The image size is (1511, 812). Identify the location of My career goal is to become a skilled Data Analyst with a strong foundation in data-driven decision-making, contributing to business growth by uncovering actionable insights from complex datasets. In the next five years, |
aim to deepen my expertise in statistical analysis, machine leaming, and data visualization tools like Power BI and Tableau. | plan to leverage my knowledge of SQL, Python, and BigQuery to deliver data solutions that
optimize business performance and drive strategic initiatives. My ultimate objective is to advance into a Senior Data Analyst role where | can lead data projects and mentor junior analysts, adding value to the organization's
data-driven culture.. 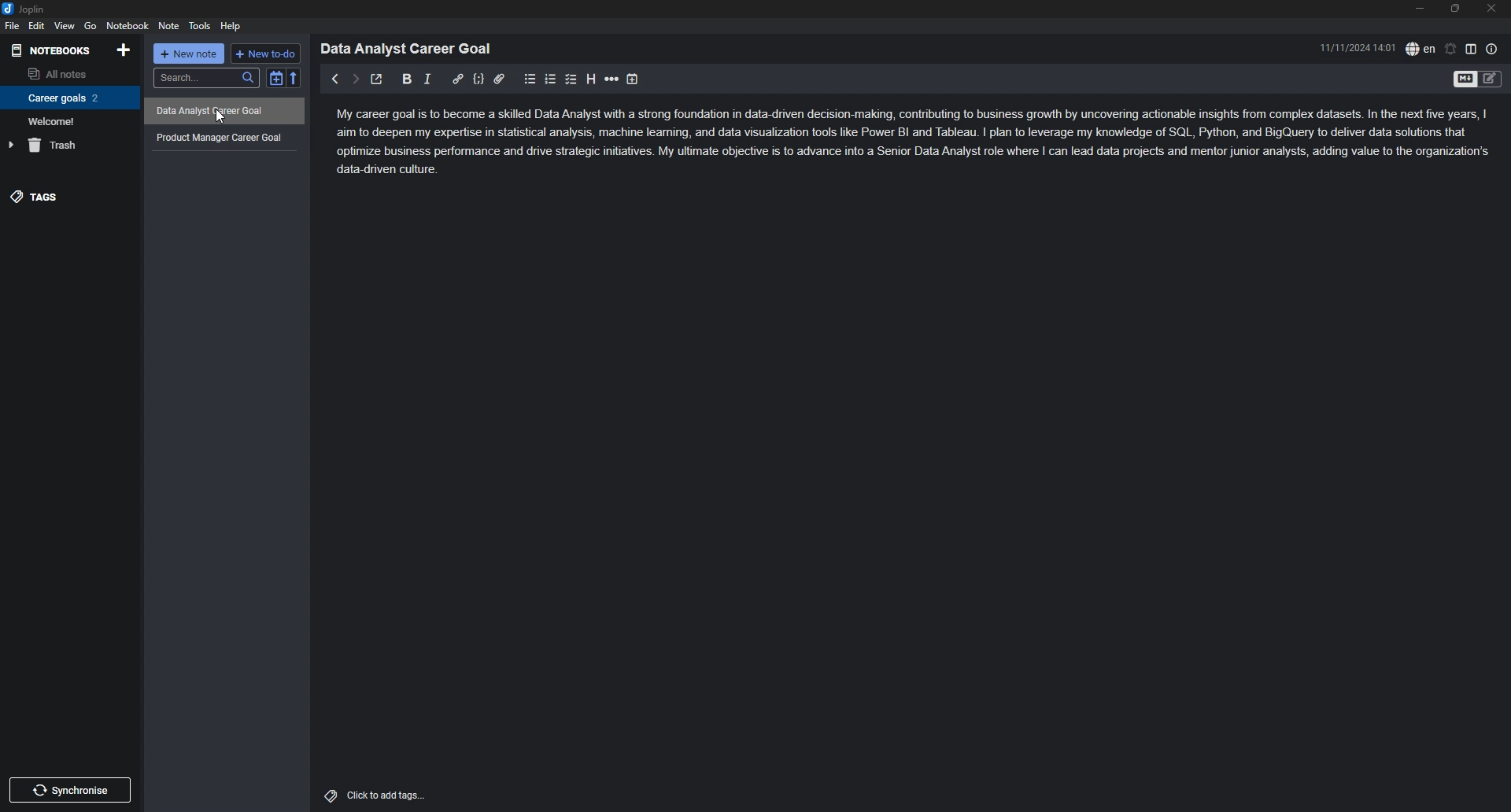
(915, 145).